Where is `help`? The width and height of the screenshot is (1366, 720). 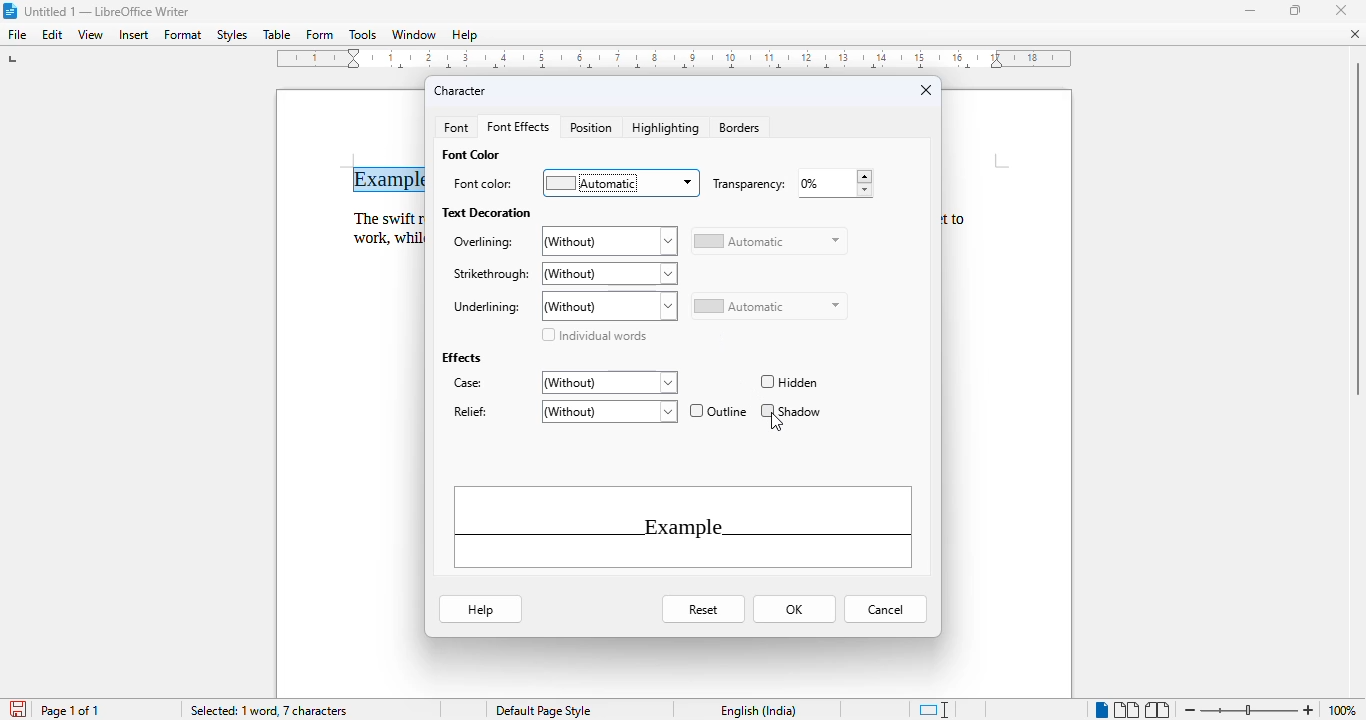 help is located at coordinates (480, 608).